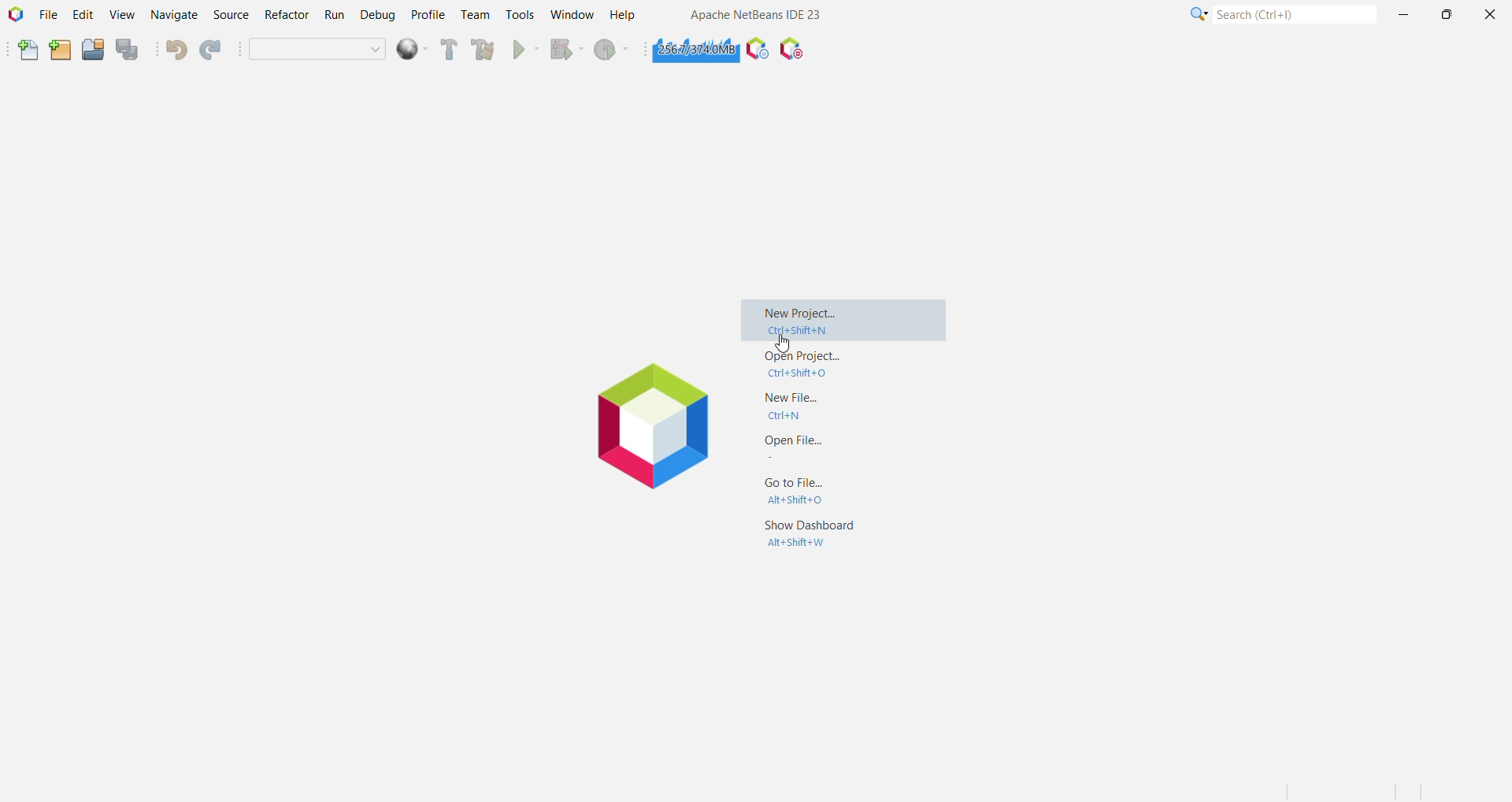 The width and height of the screenshot is (1512, 802). Describe the element at coordinates (520, 16) in the screenshot. I see `Tools` at that location.